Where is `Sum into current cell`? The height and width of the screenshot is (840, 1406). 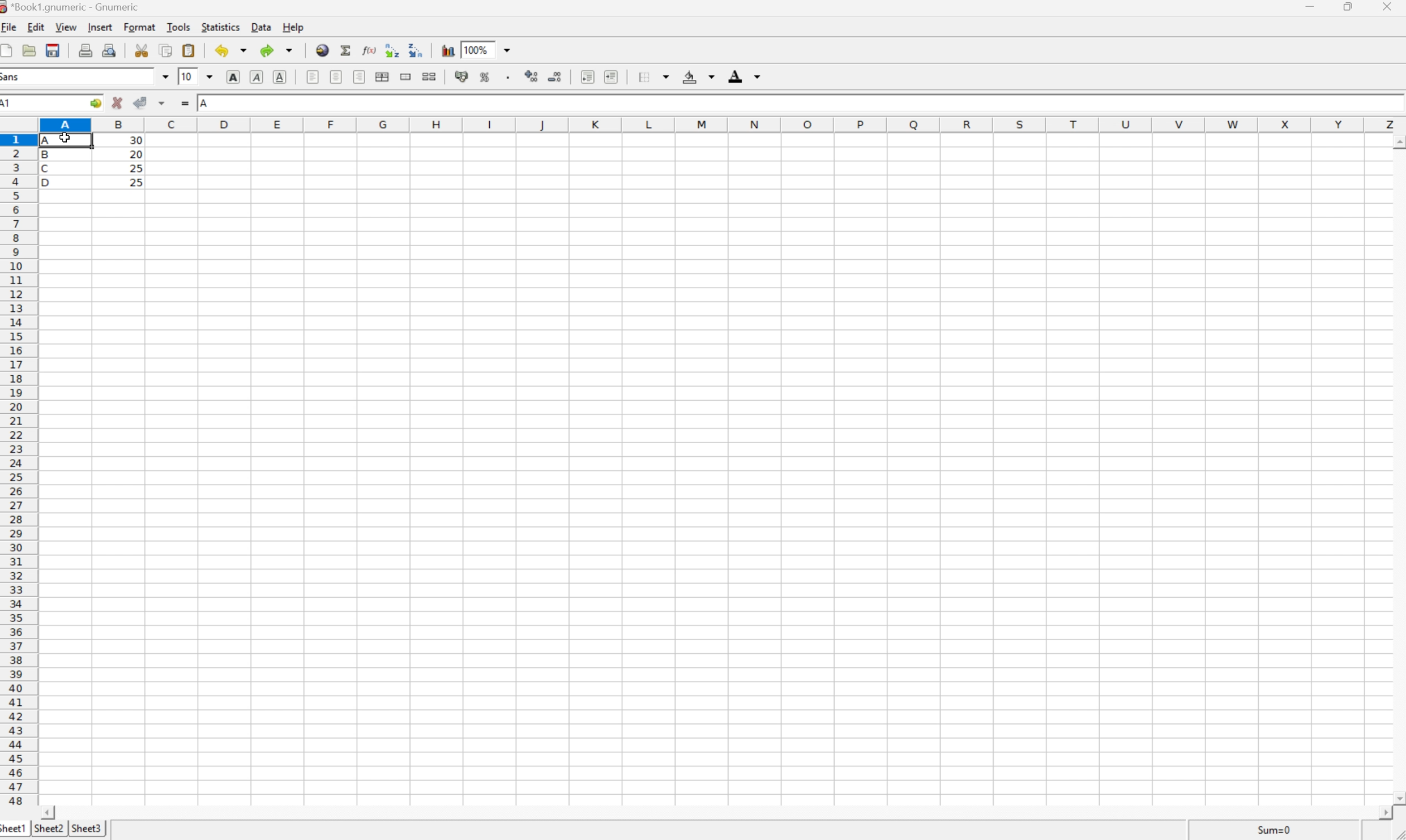 Sum into current cell is located at coordinates (347, 49).